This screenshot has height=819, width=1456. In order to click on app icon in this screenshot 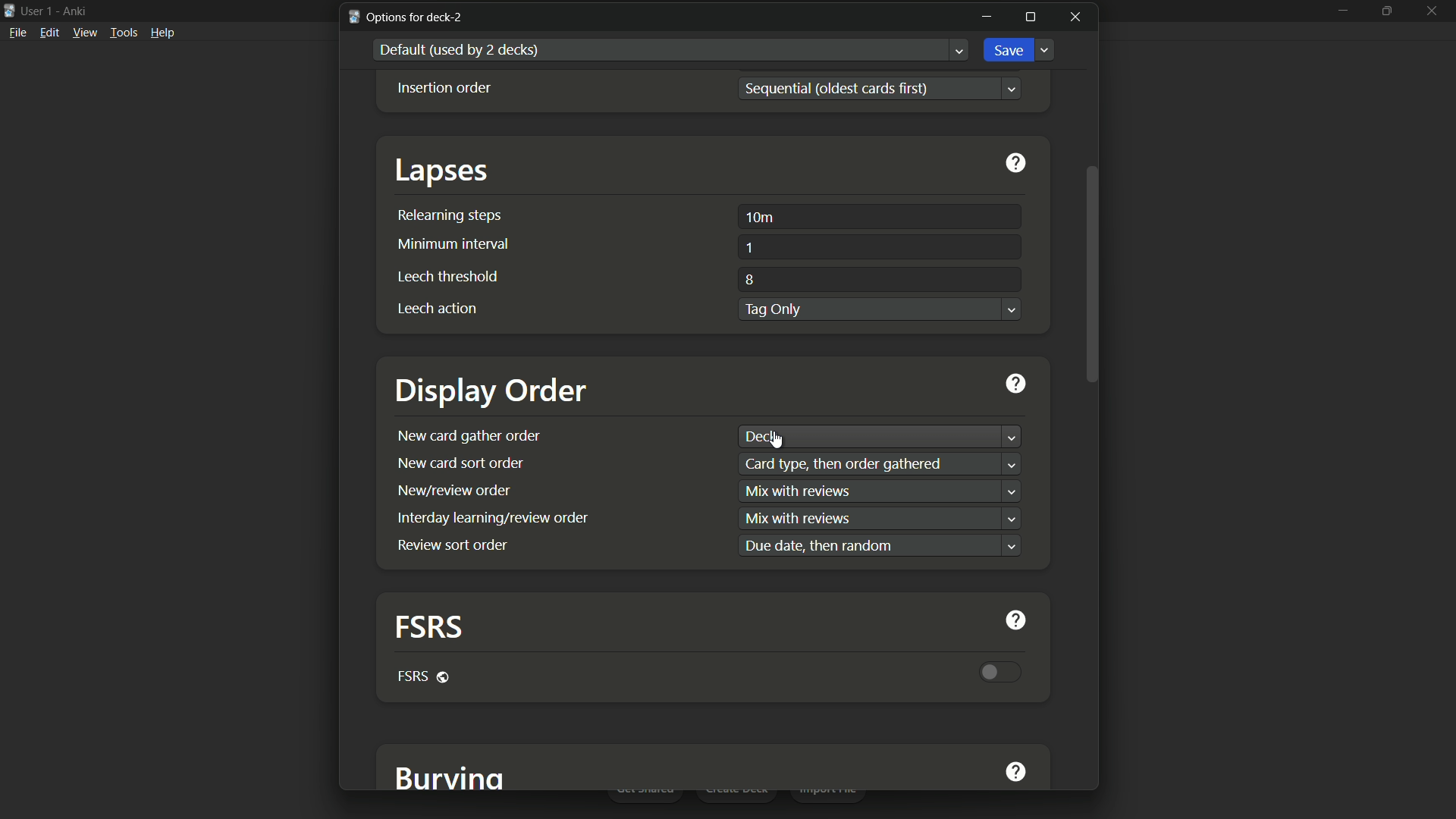, I will do `click(9, 10)`.